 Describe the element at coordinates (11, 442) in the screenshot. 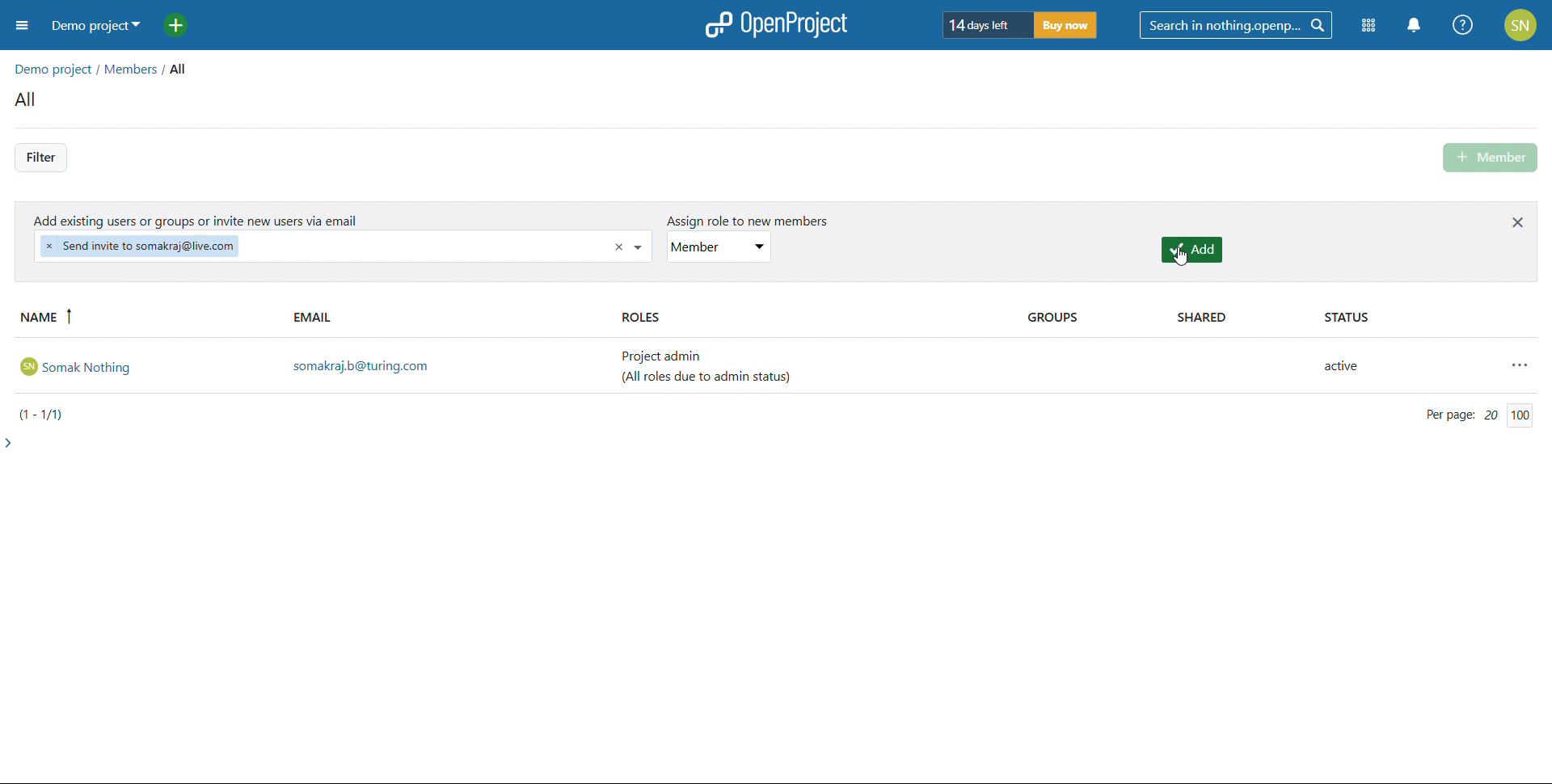

I see `expand side bar` at that location.